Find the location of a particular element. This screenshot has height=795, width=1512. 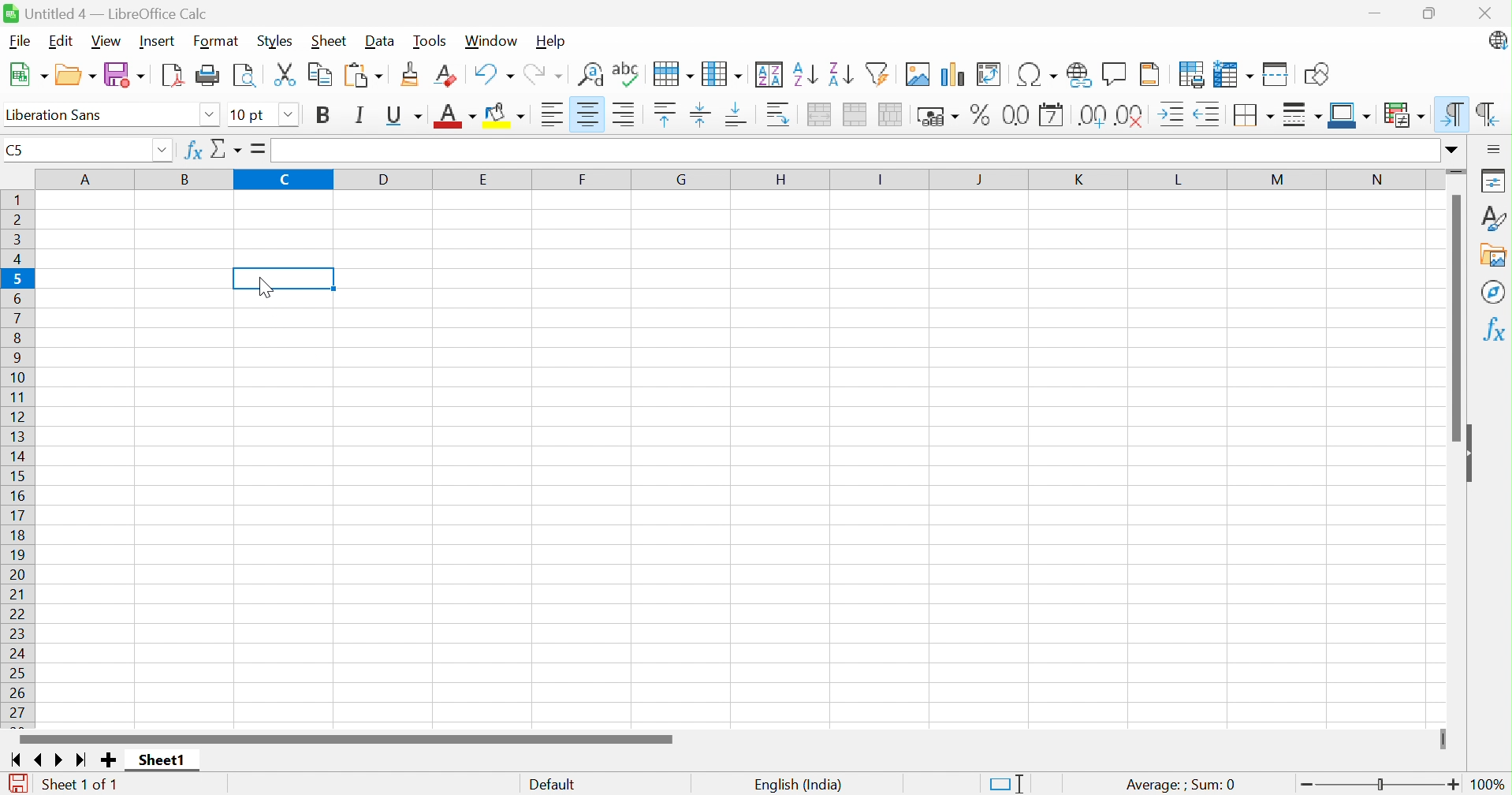

Slider is located at coordinates (1376, 784).